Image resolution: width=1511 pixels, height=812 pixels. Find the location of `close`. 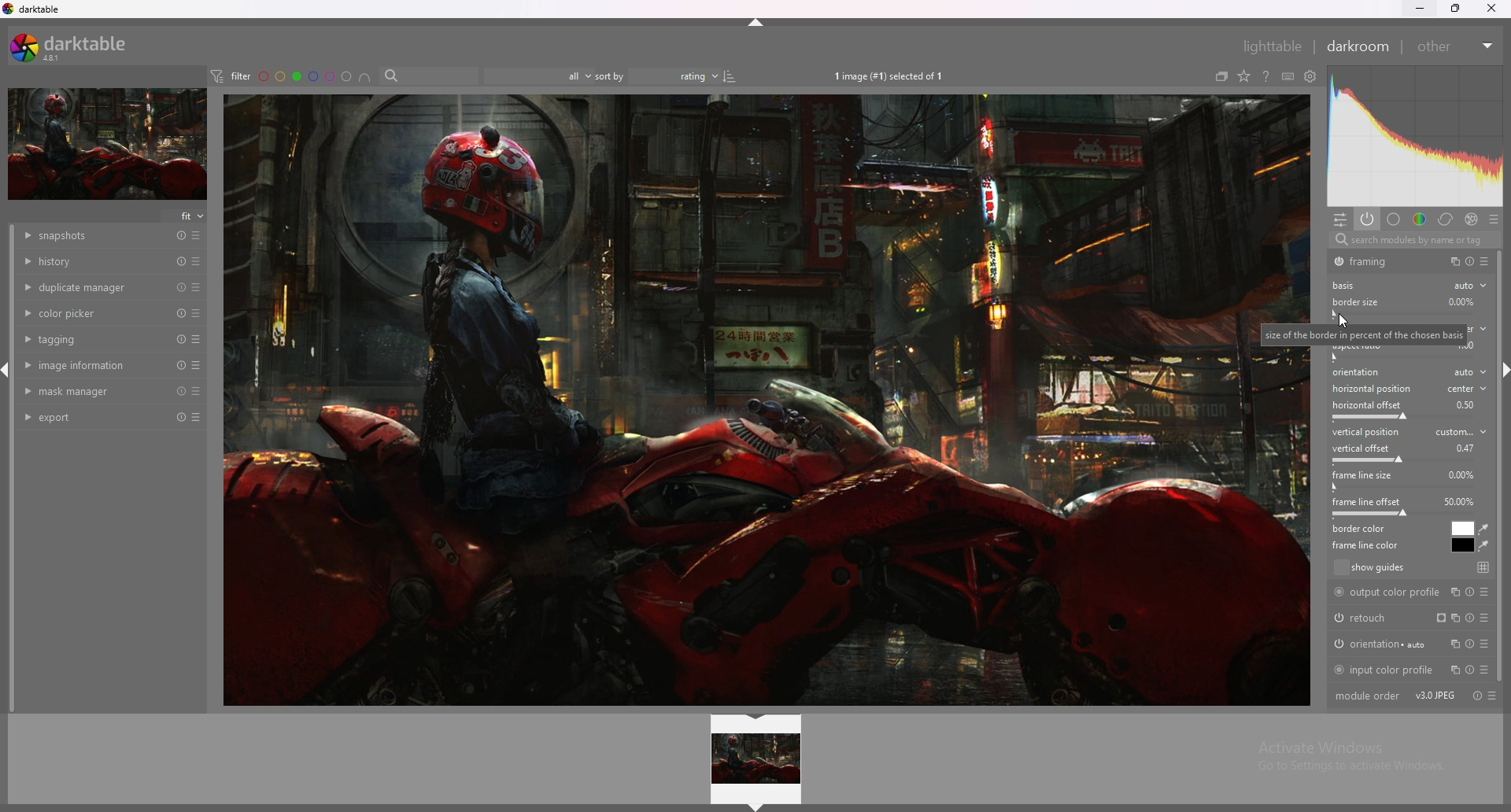

close is located at coordinates (1491, 9).